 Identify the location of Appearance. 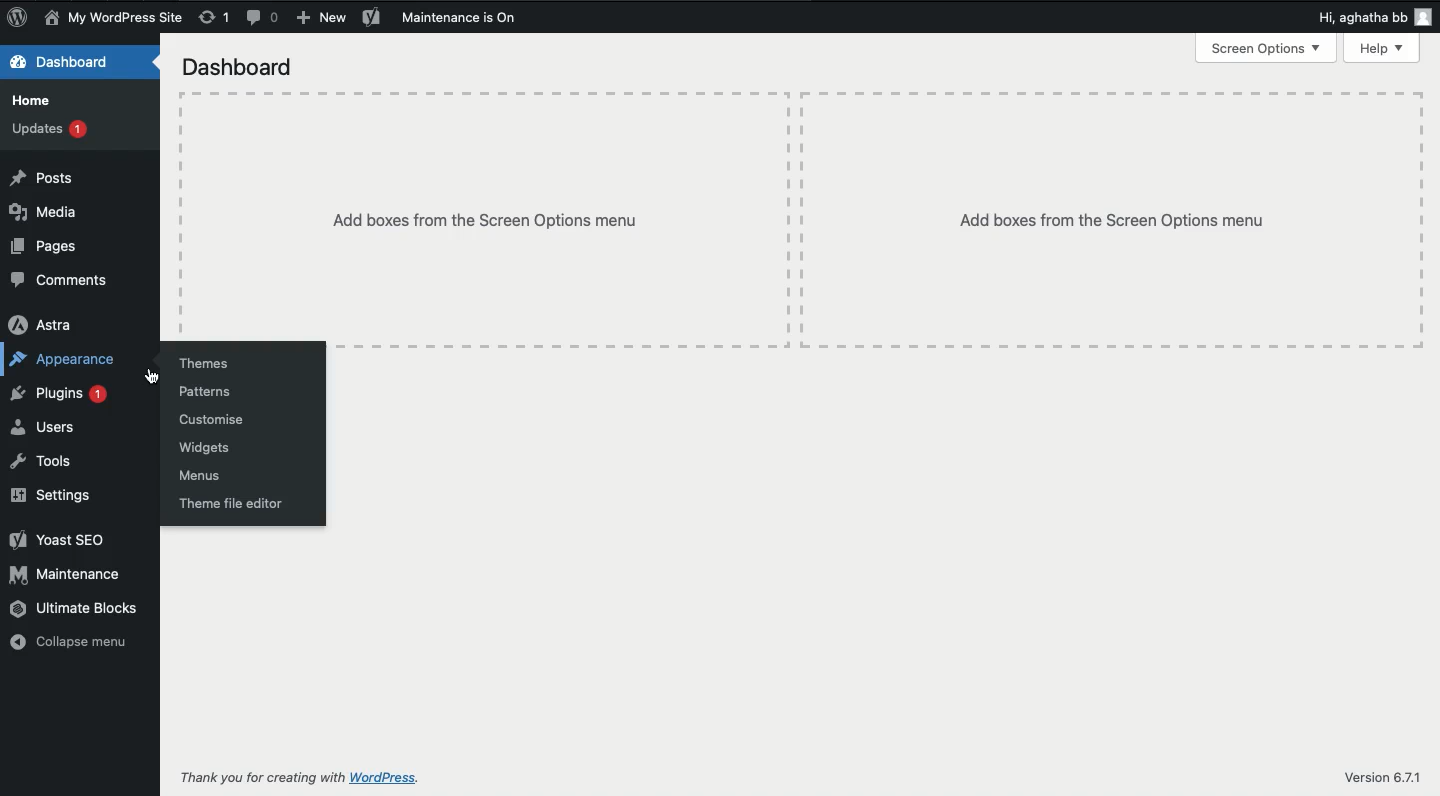
(64, 362).